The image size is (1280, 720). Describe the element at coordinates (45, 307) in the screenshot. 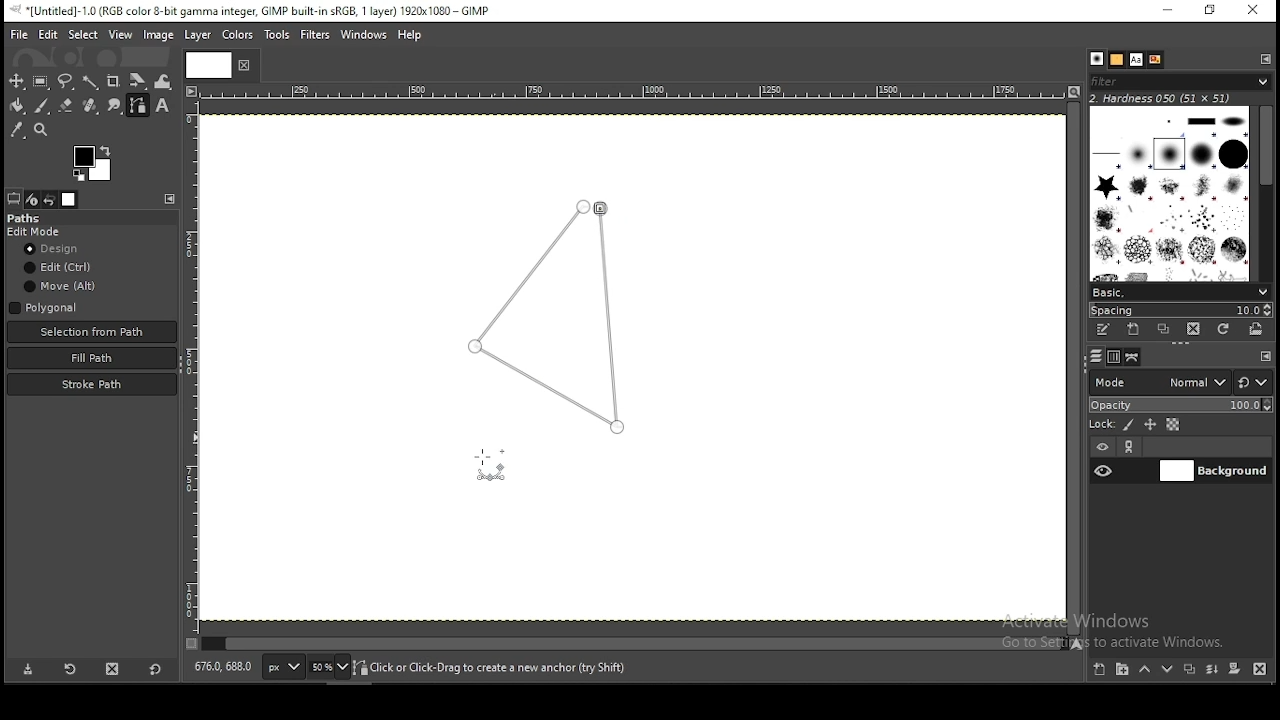

I see `polygon` at that location.